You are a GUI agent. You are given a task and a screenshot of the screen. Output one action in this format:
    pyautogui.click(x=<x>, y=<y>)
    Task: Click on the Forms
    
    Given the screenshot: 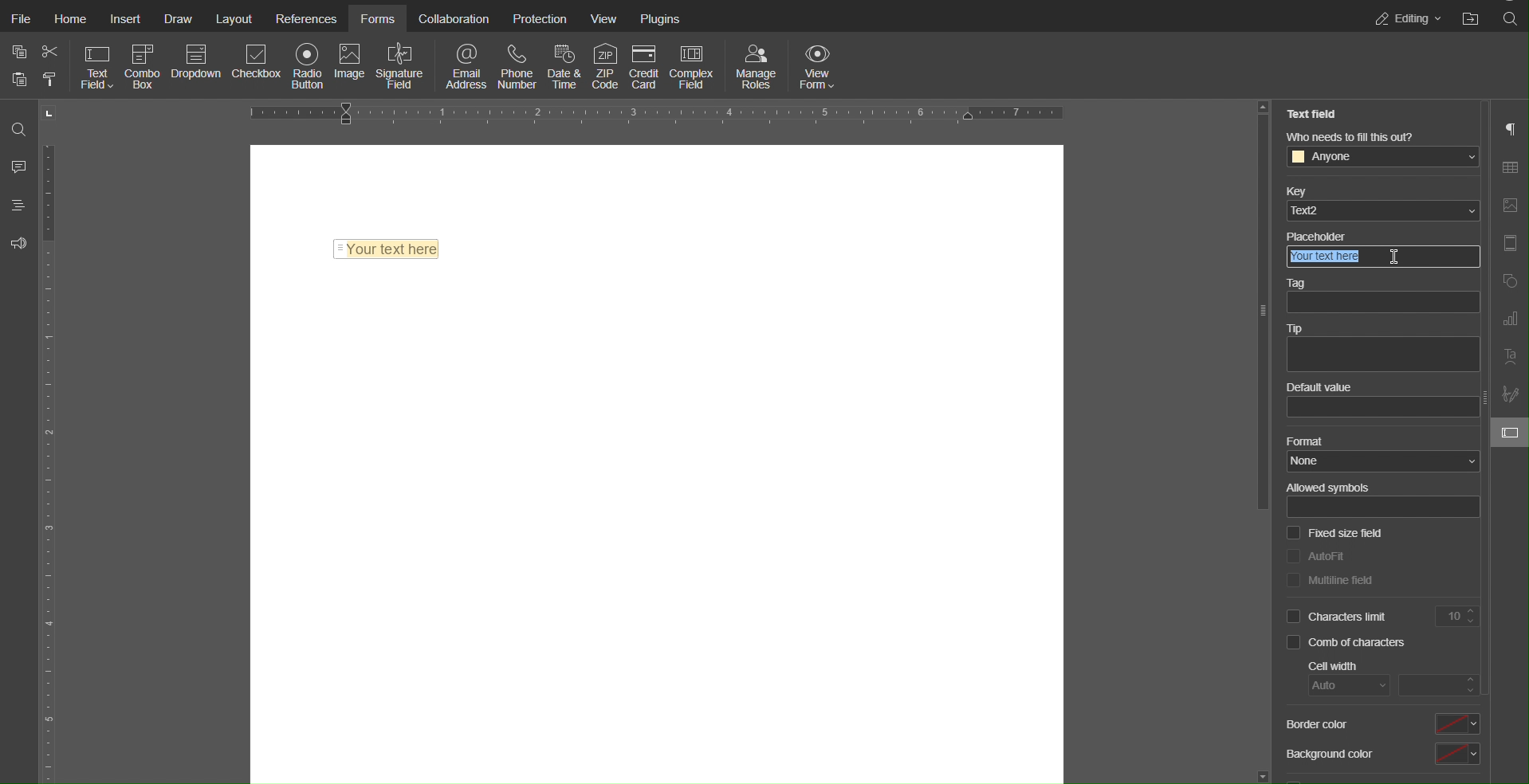 What is the action you would take?
    pyautogui.click(x=378, y=20)
    